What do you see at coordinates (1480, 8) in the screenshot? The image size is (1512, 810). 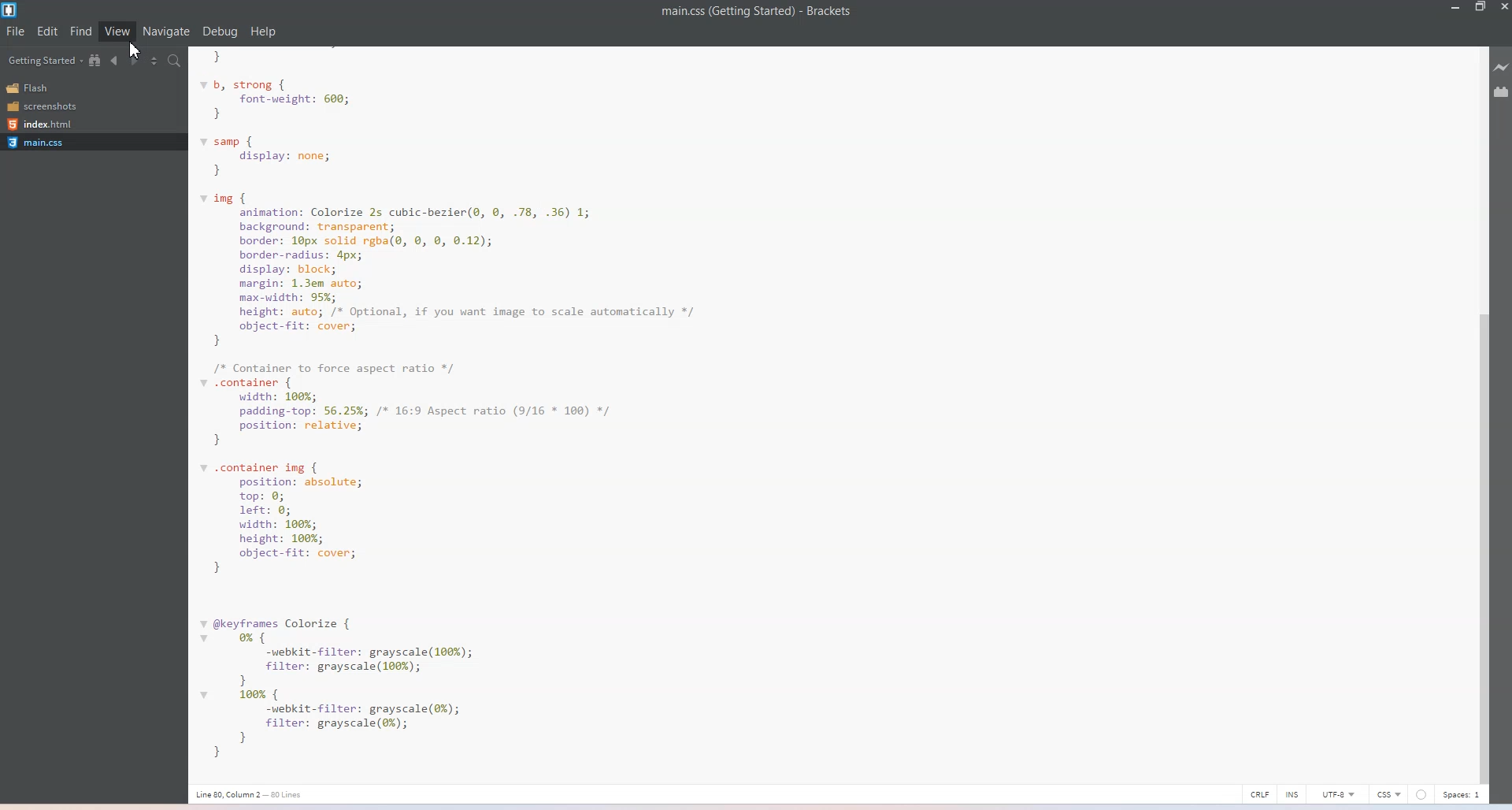 I see `Maximize` at bounding box center [1480, 8].